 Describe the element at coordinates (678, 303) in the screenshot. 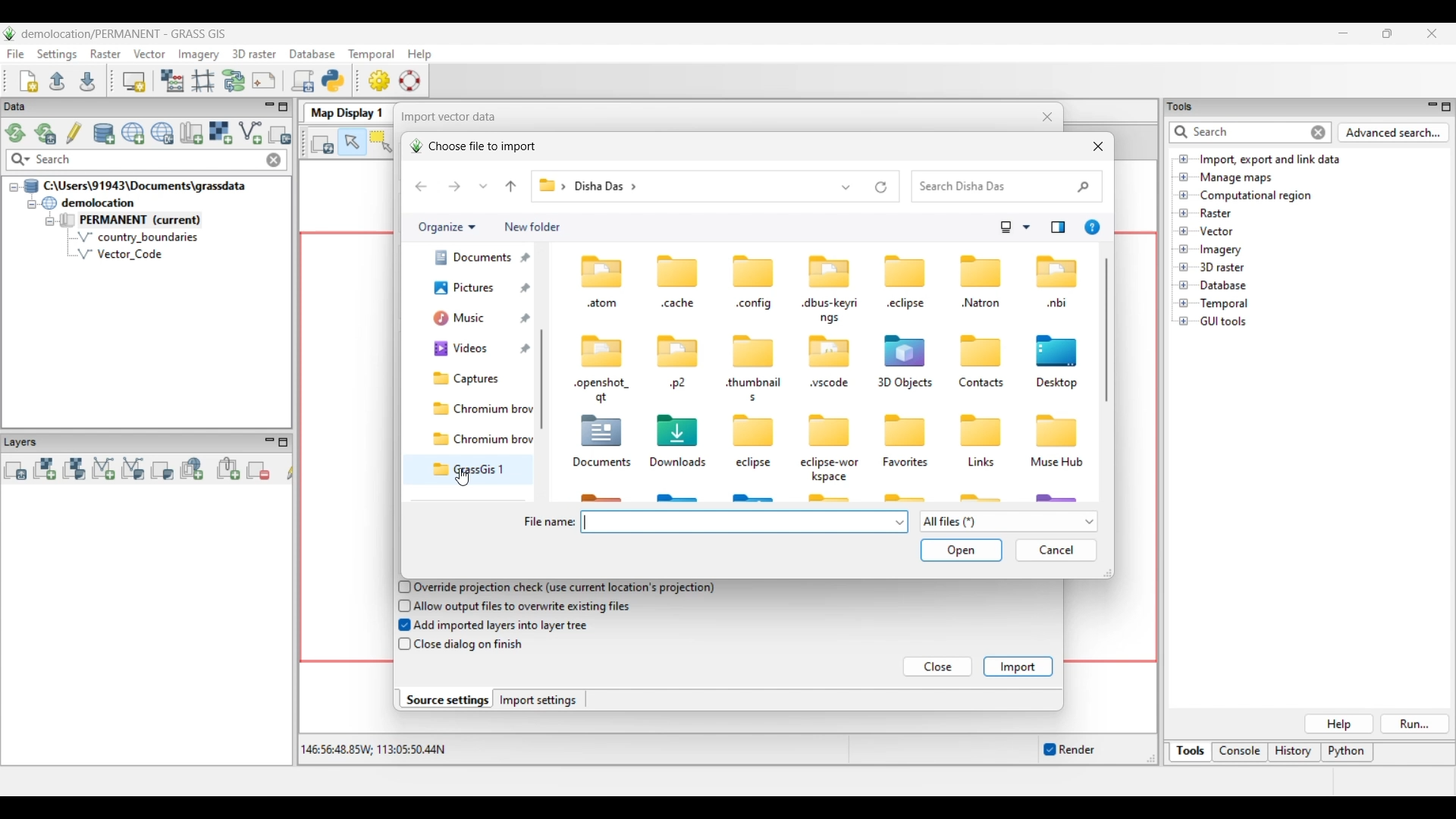

I see `cache` at that location.